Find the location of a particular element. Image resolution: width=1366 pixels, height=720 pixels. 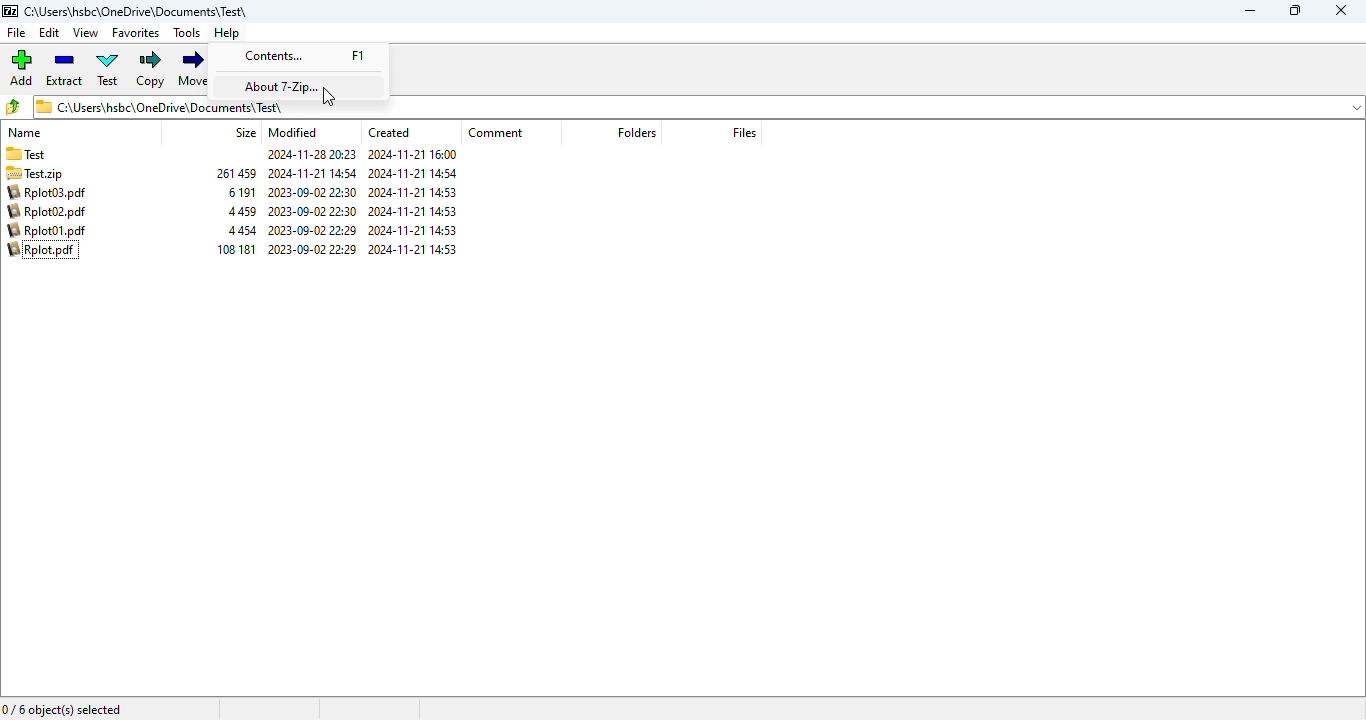

copy is located at coordinates (151, 69).